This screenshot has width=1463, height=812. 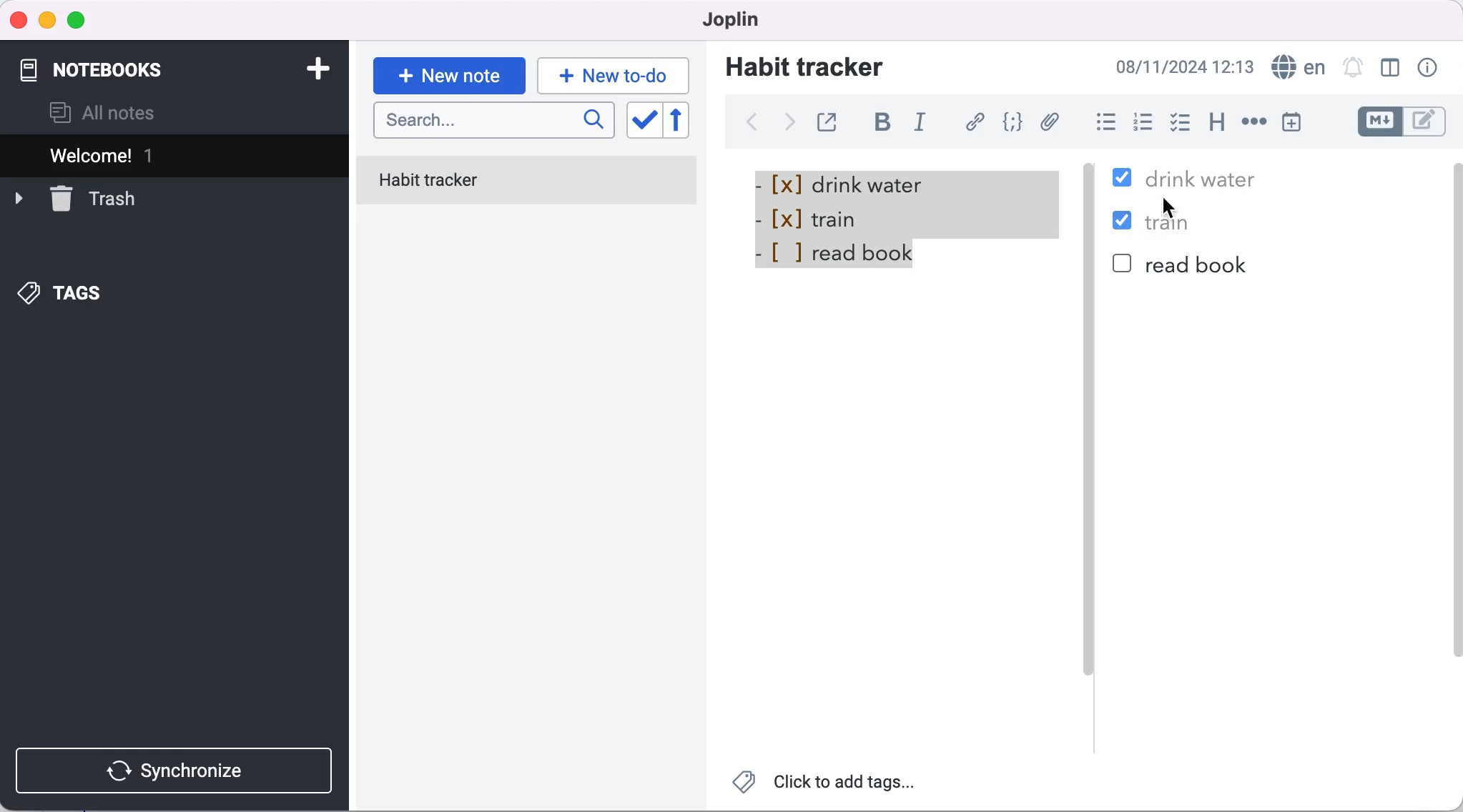 I want to click on insert time, so click(x=1291, y=122).